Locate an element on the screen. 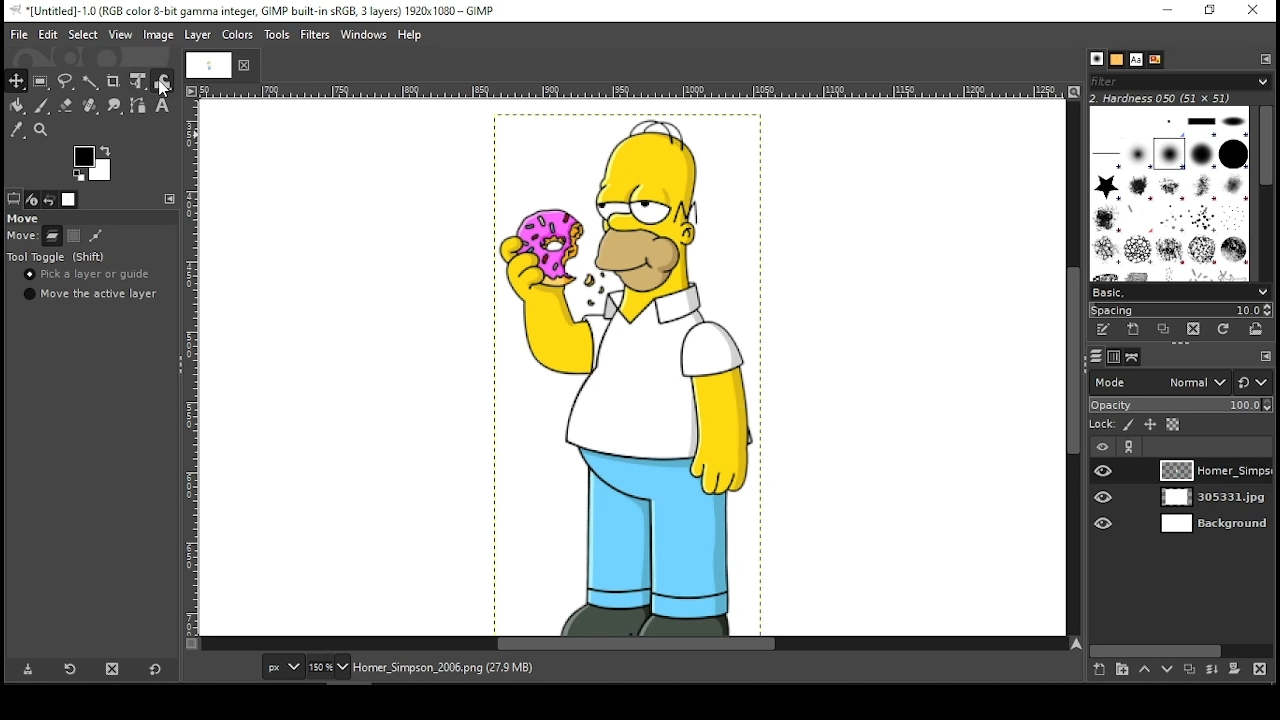 The width and height of the screenshot is (1280, 720). minimize is located at coordinates (1168, 11).